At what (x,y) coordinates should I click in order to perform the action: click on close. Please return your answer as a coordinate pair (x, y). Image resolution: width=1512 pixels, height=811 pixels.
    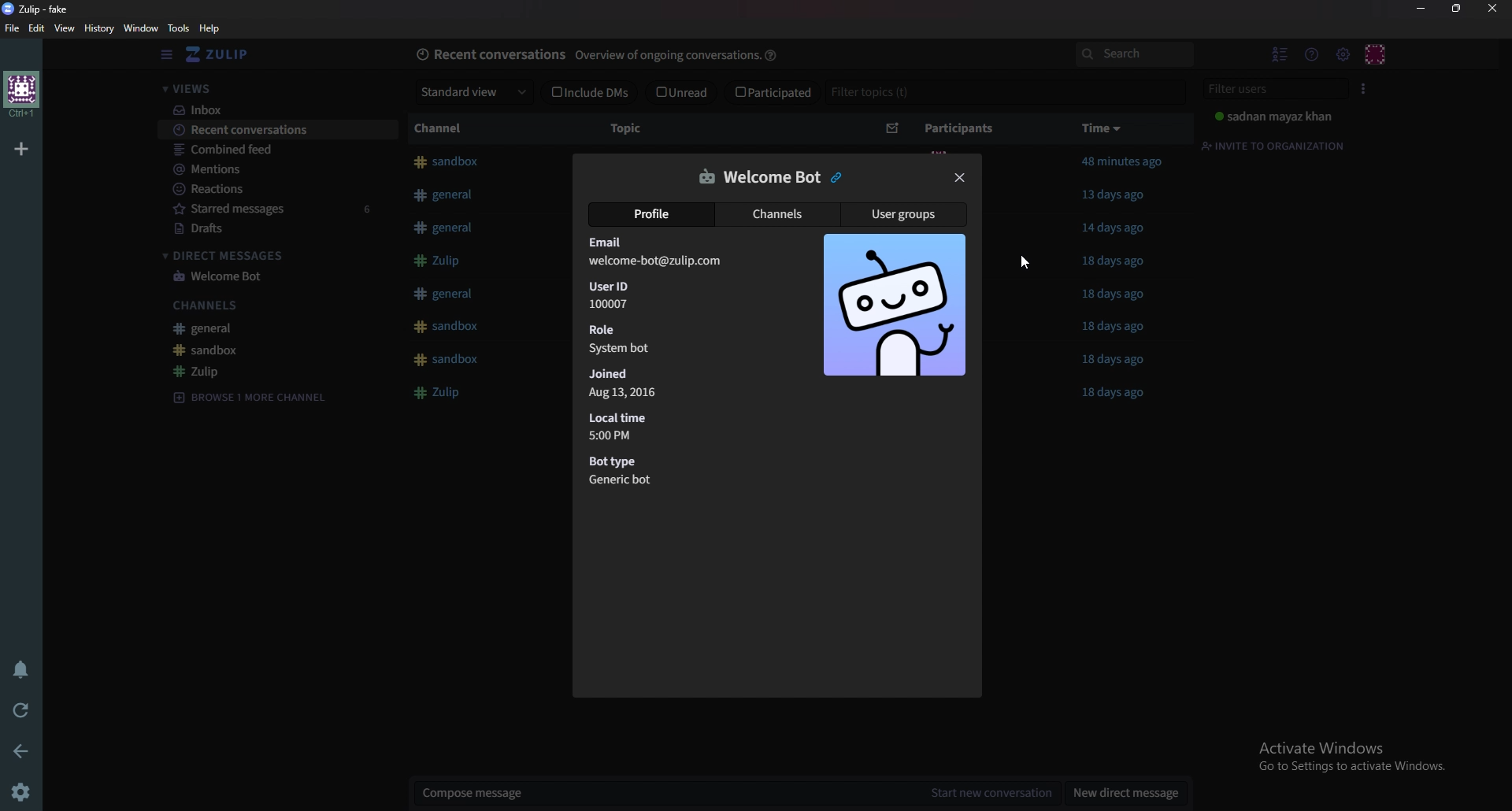
    Looking at the image, I should click on (960, 178).